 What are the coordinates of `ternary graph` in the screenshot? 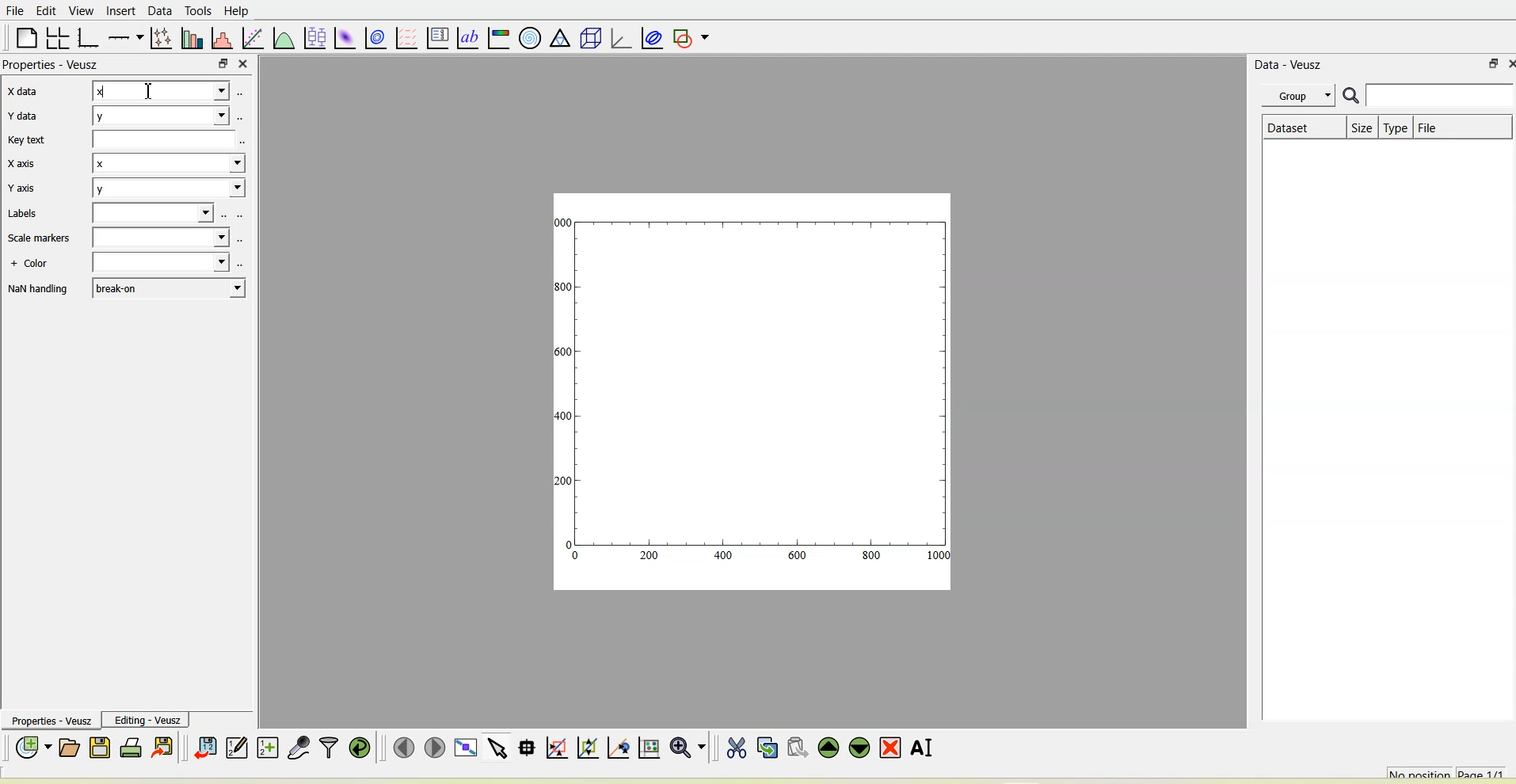 It's located at (560, 38).